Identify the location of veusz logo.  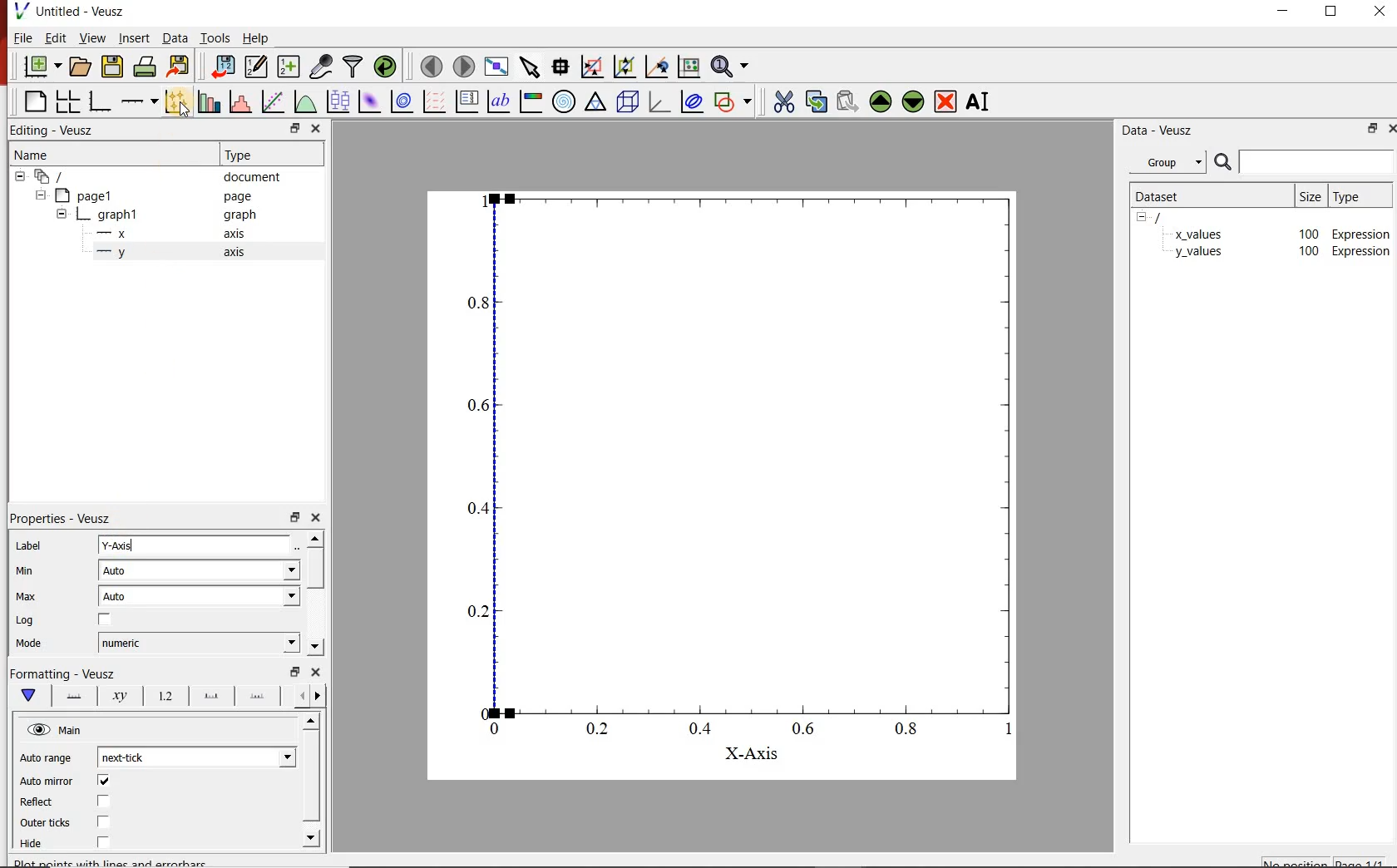
(16, 11).